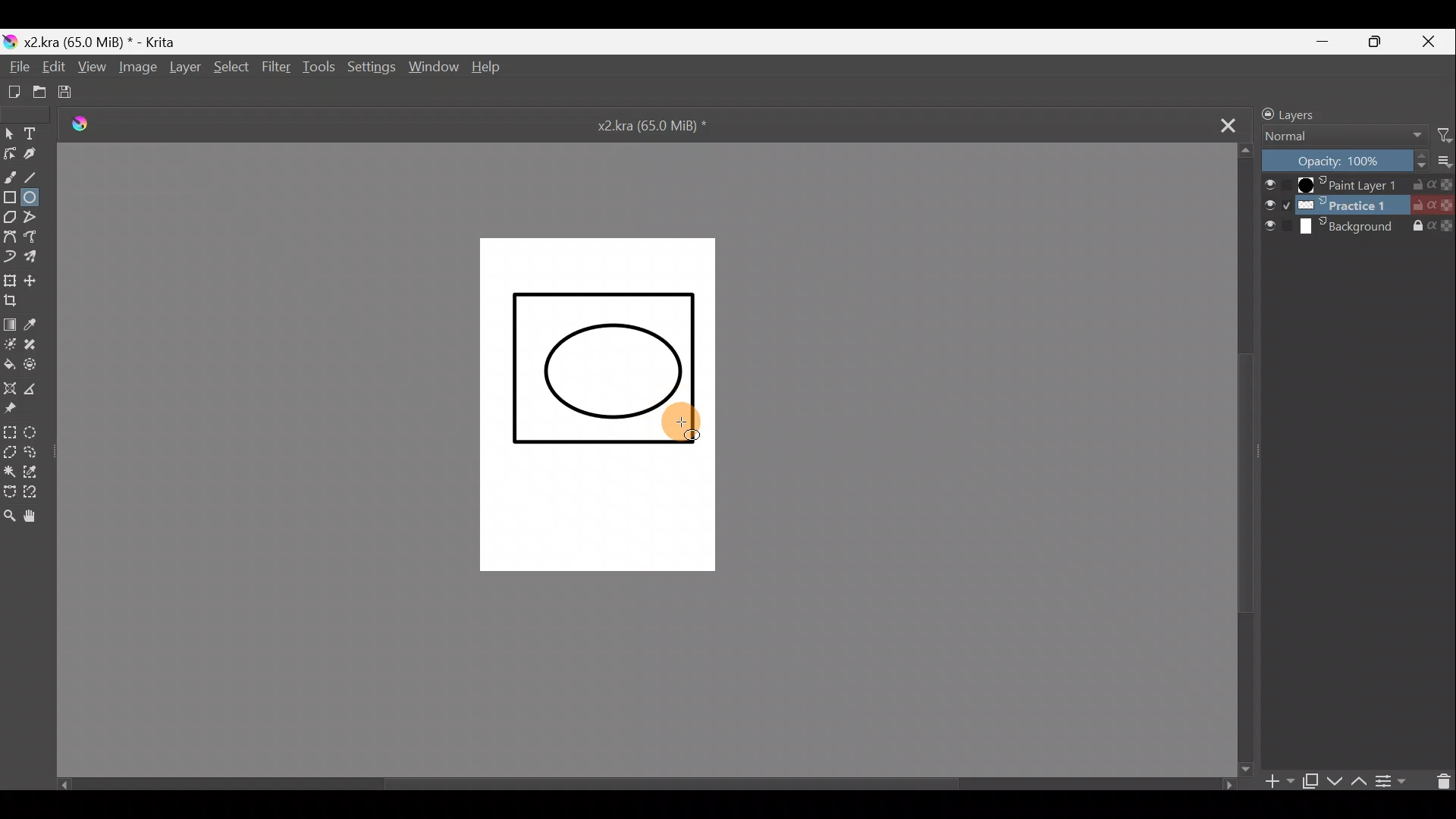  What do you see at coordinates (34, 472) in the screenshot?
I see `Similar colour selection tool` at bounding box center [34, 472].